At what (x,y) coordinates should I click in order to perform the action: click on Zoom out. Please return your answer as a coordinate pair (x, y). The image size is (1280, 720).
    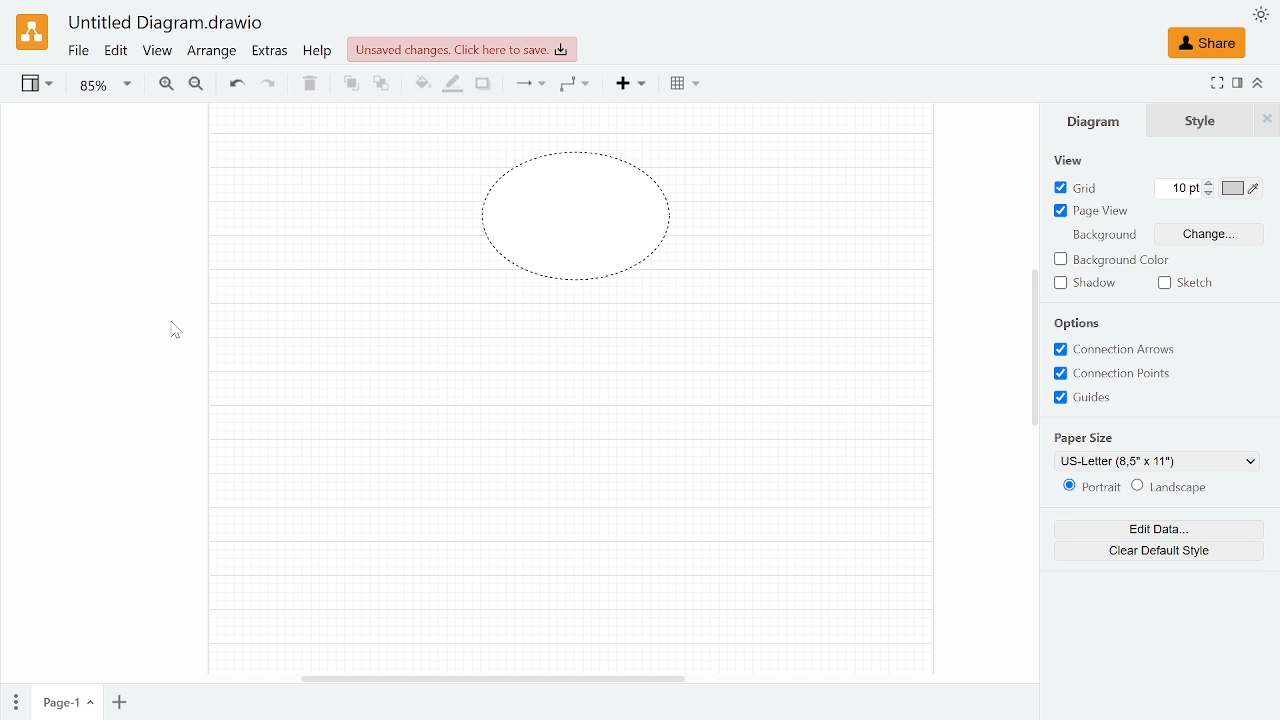
    Looking at the image, I should click on (199, 86).